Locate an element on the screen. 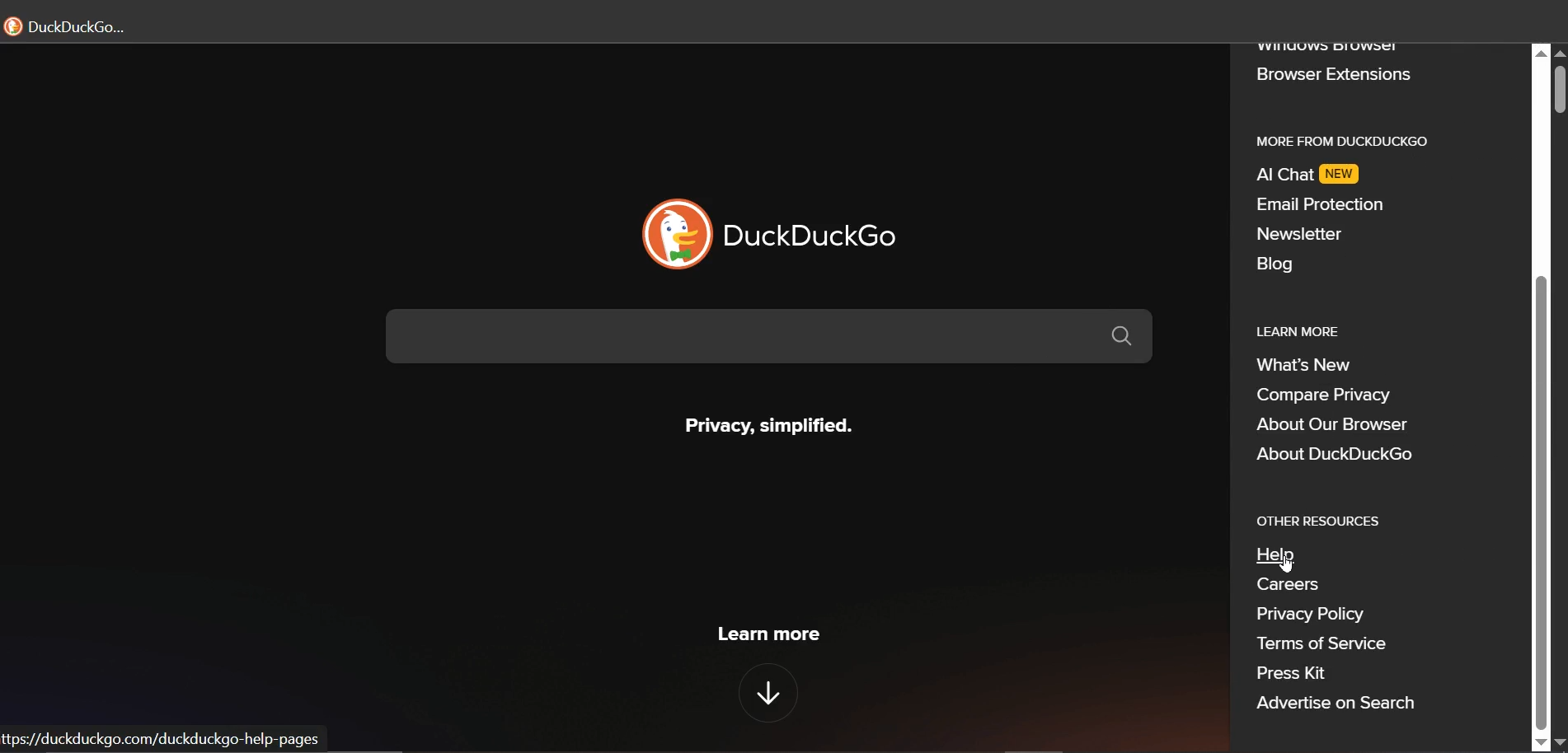 The height and width of the screenshot is (753, 1568). About Duckduckgo is located at coordinates (1339, 452).